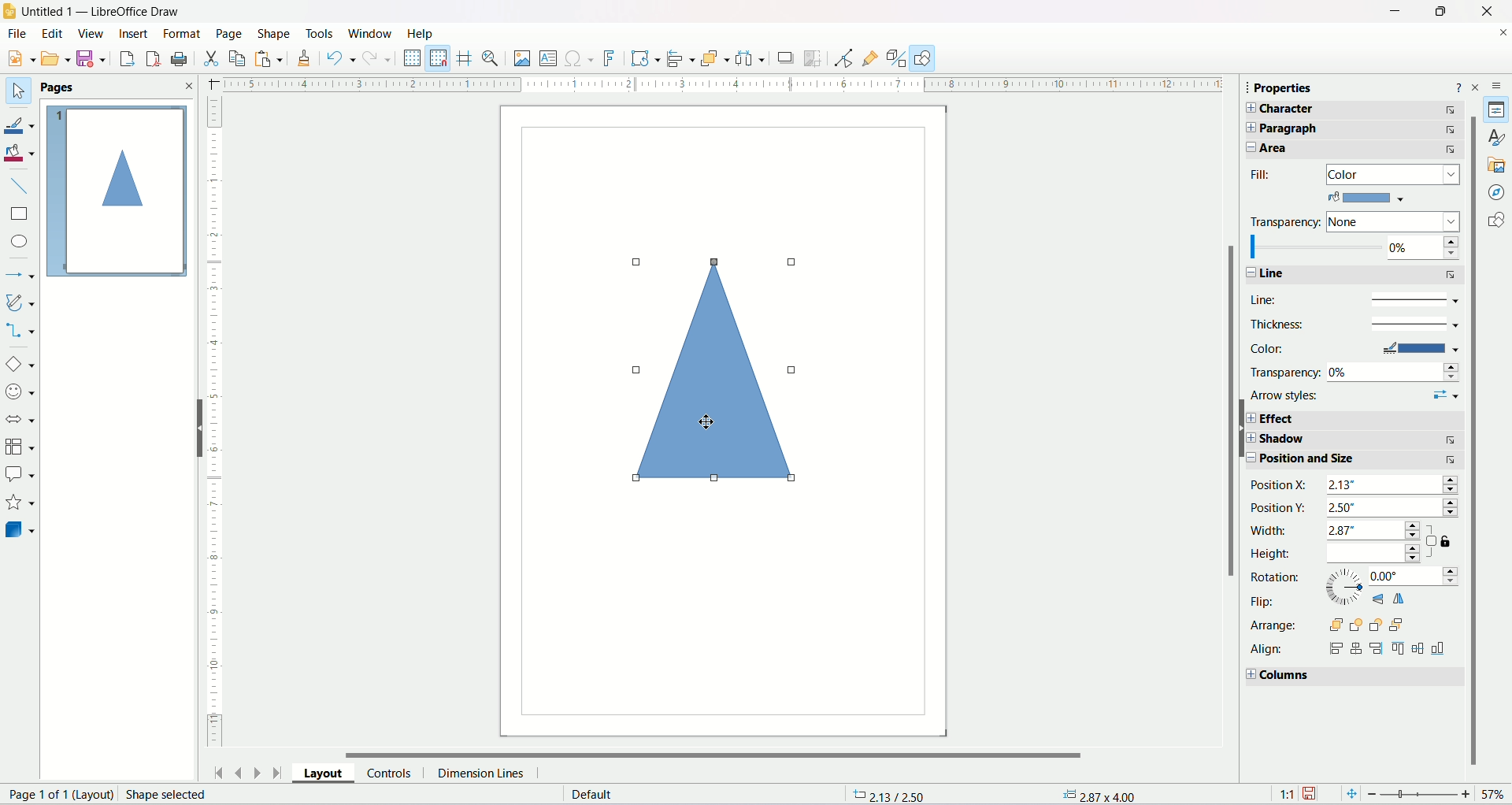 This screenshot has height=805, width=1512. I want to click on Tools, so click(320, 33).